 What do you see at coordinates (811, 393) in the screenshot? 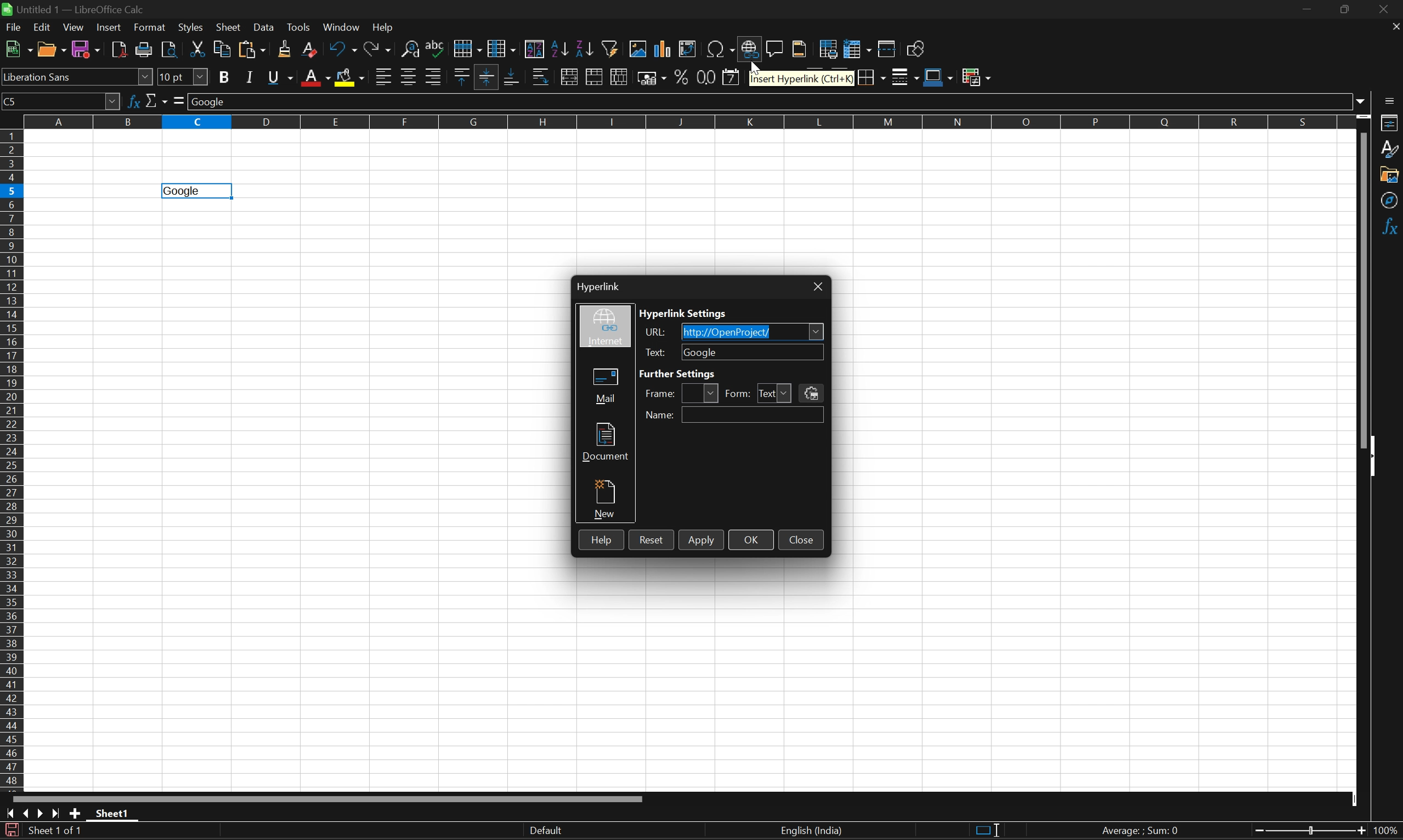
I see `Events` at bounding box center [811, 393].